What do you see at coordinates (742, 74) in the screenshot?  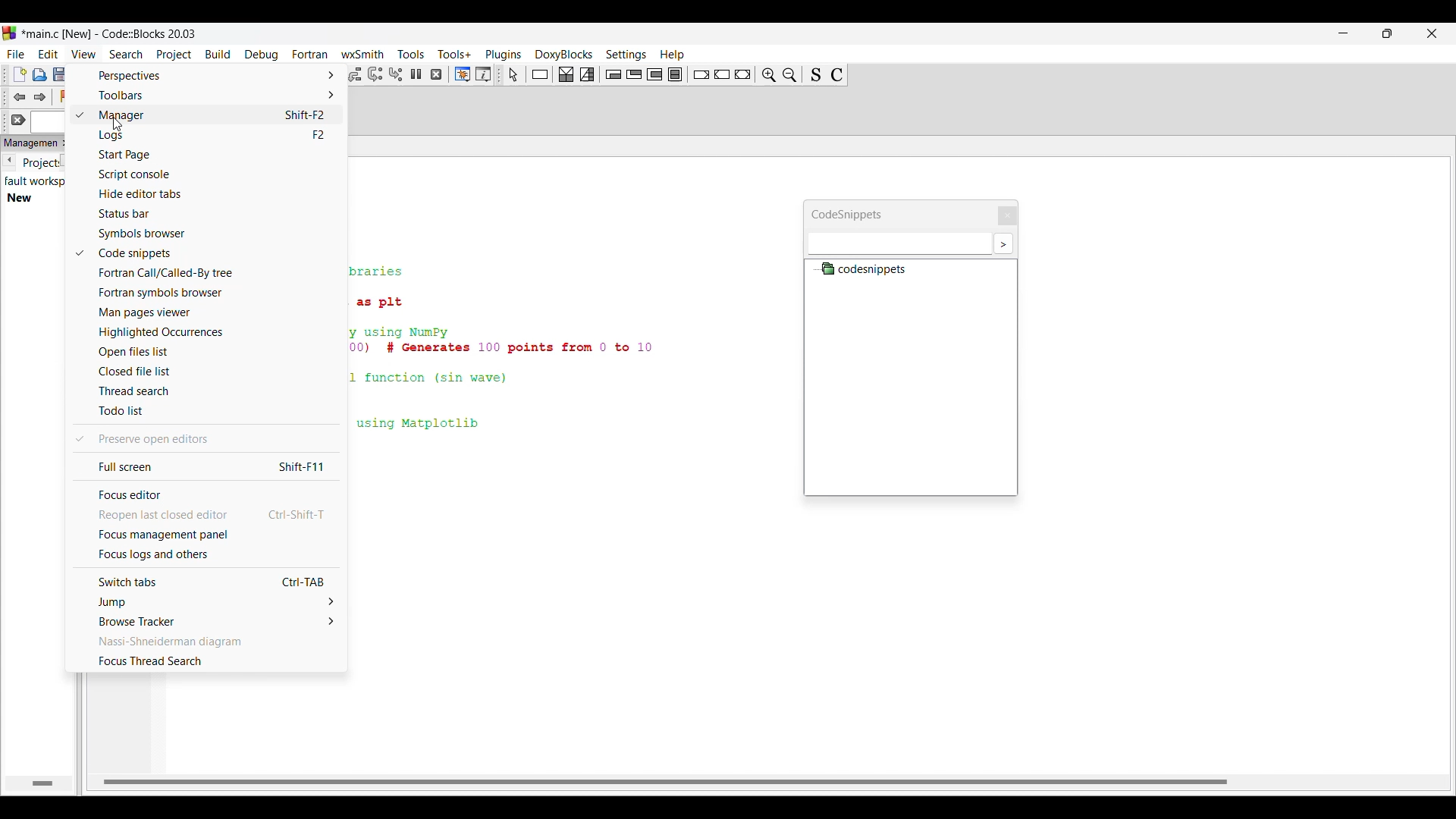 I see `Return instruction` at bounding box center [742, 74].